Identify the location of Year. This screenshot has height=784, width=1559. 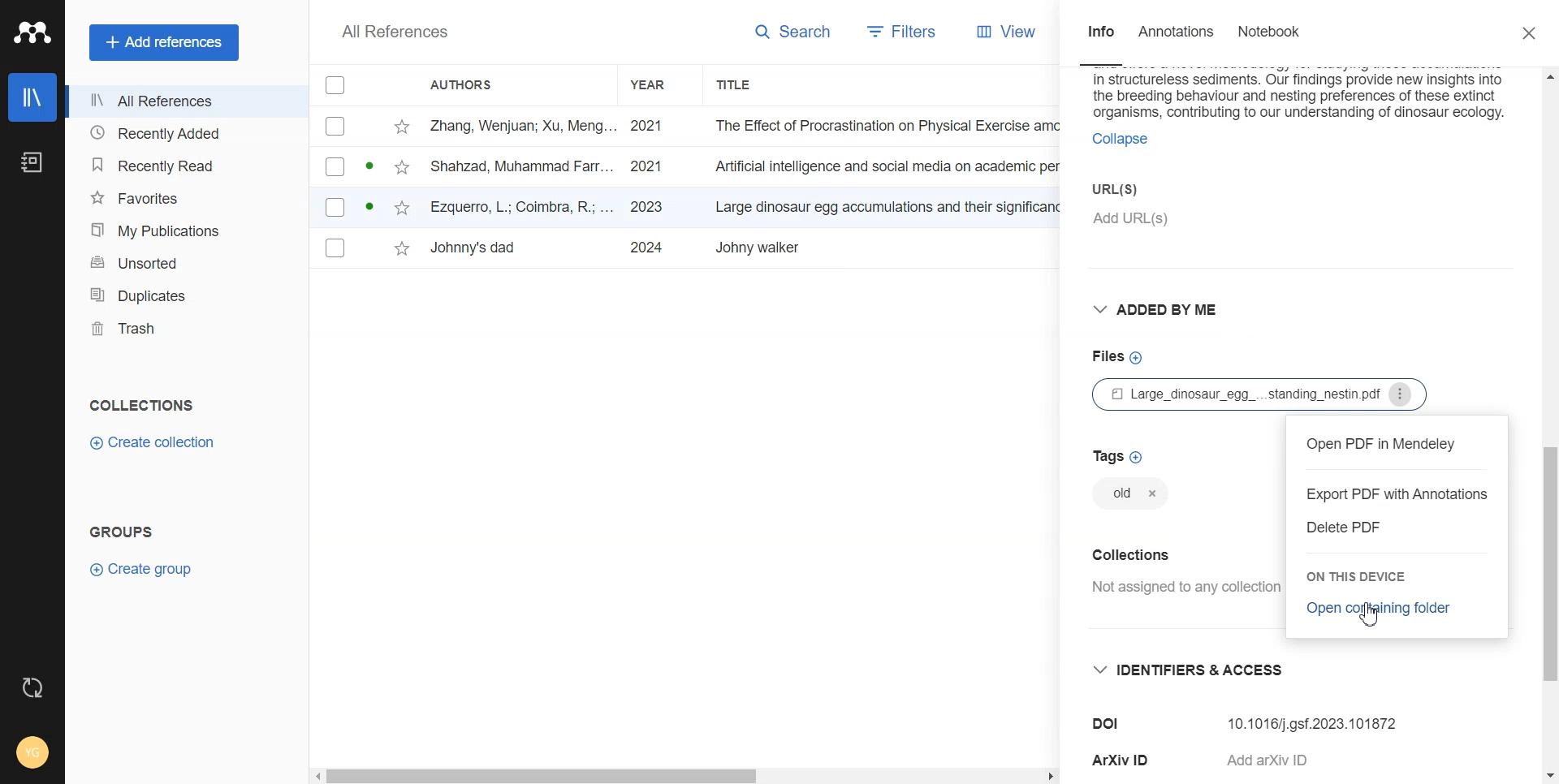
(659, 84).